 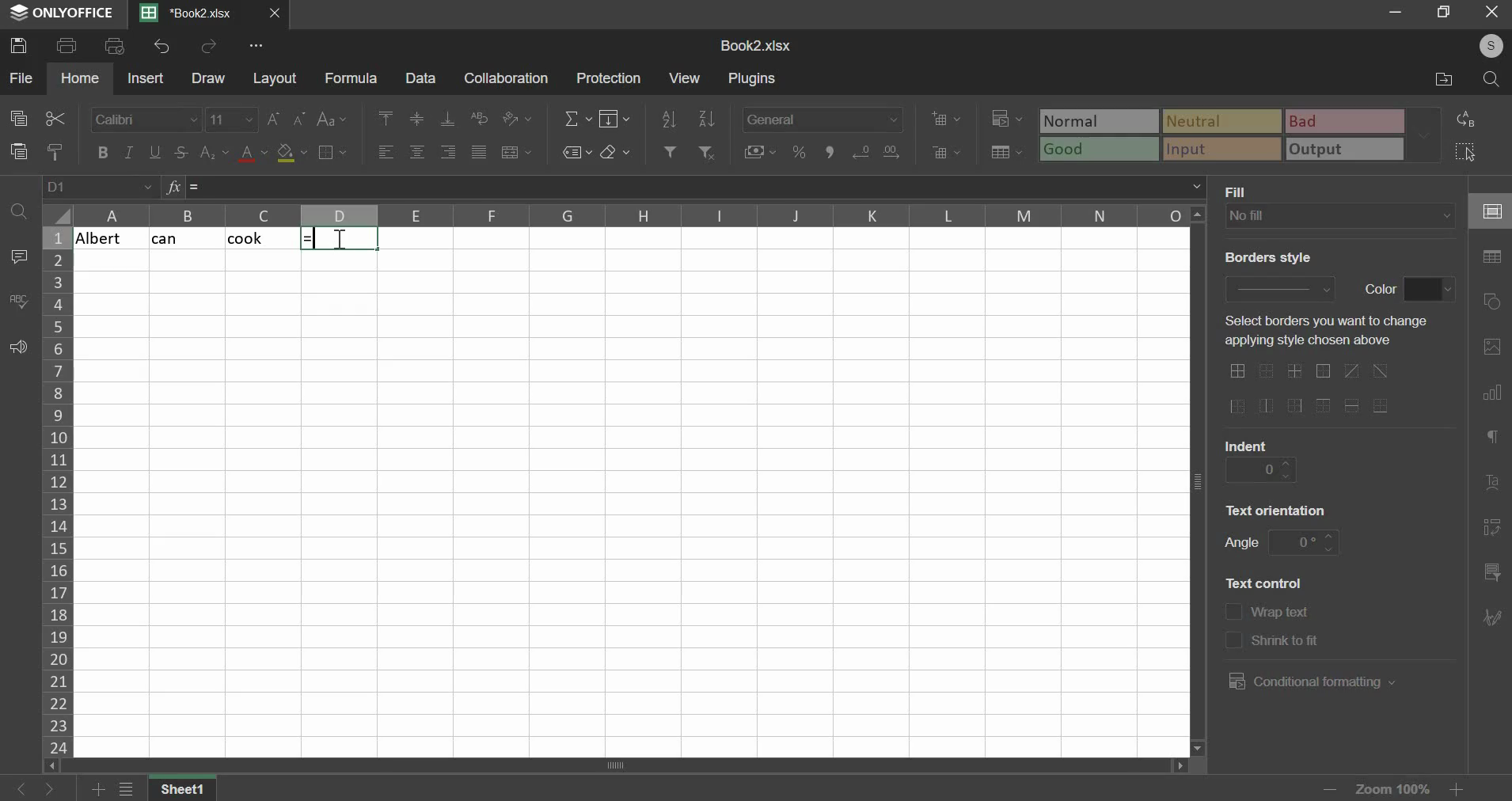 What do you see at coordinates (1264, 582) in the screenshot?
I see `text` at bounding box center [1264, 582].